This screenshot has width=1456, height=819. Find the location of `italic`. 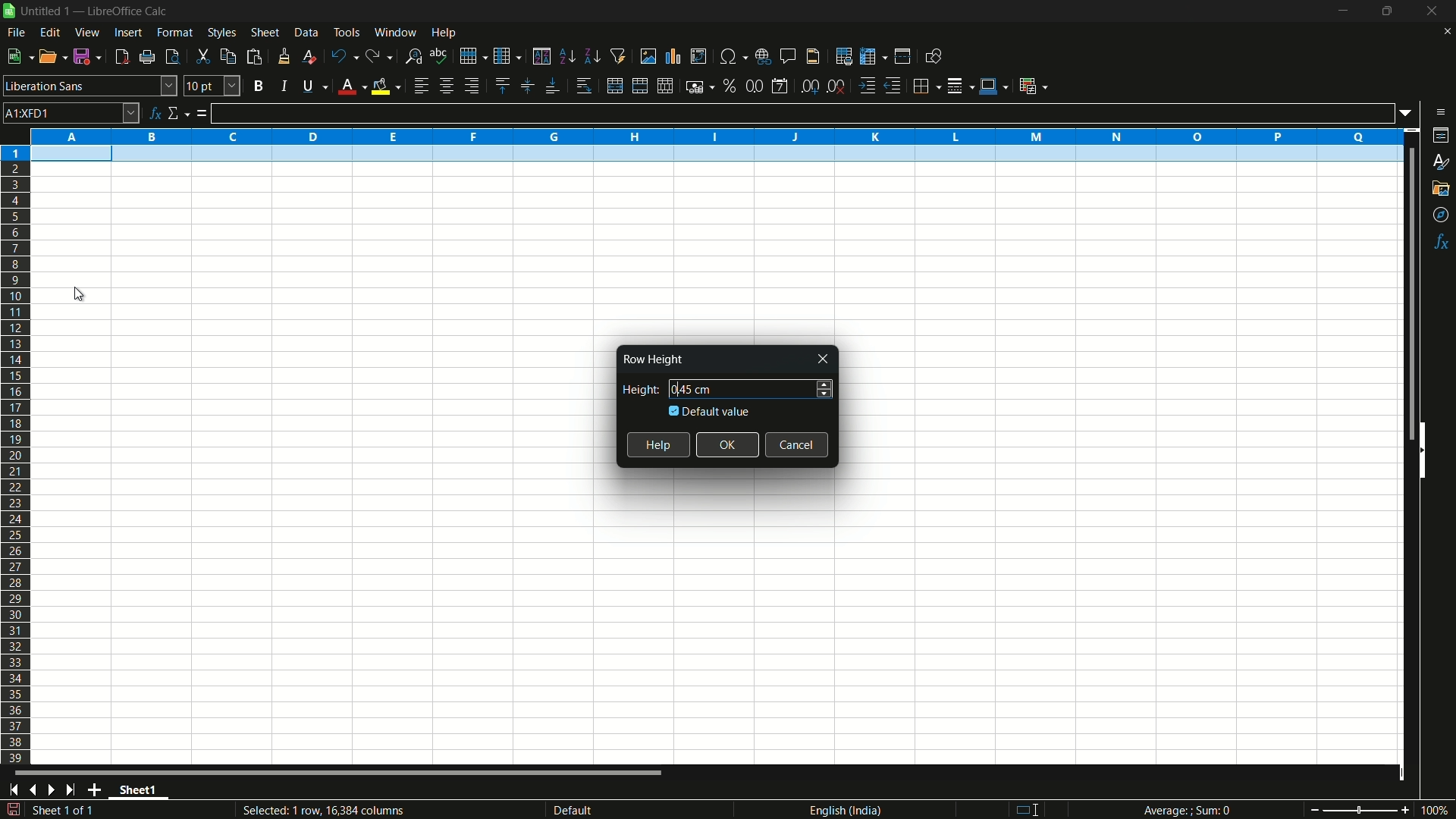

italic is located at coordinates (283, 86).